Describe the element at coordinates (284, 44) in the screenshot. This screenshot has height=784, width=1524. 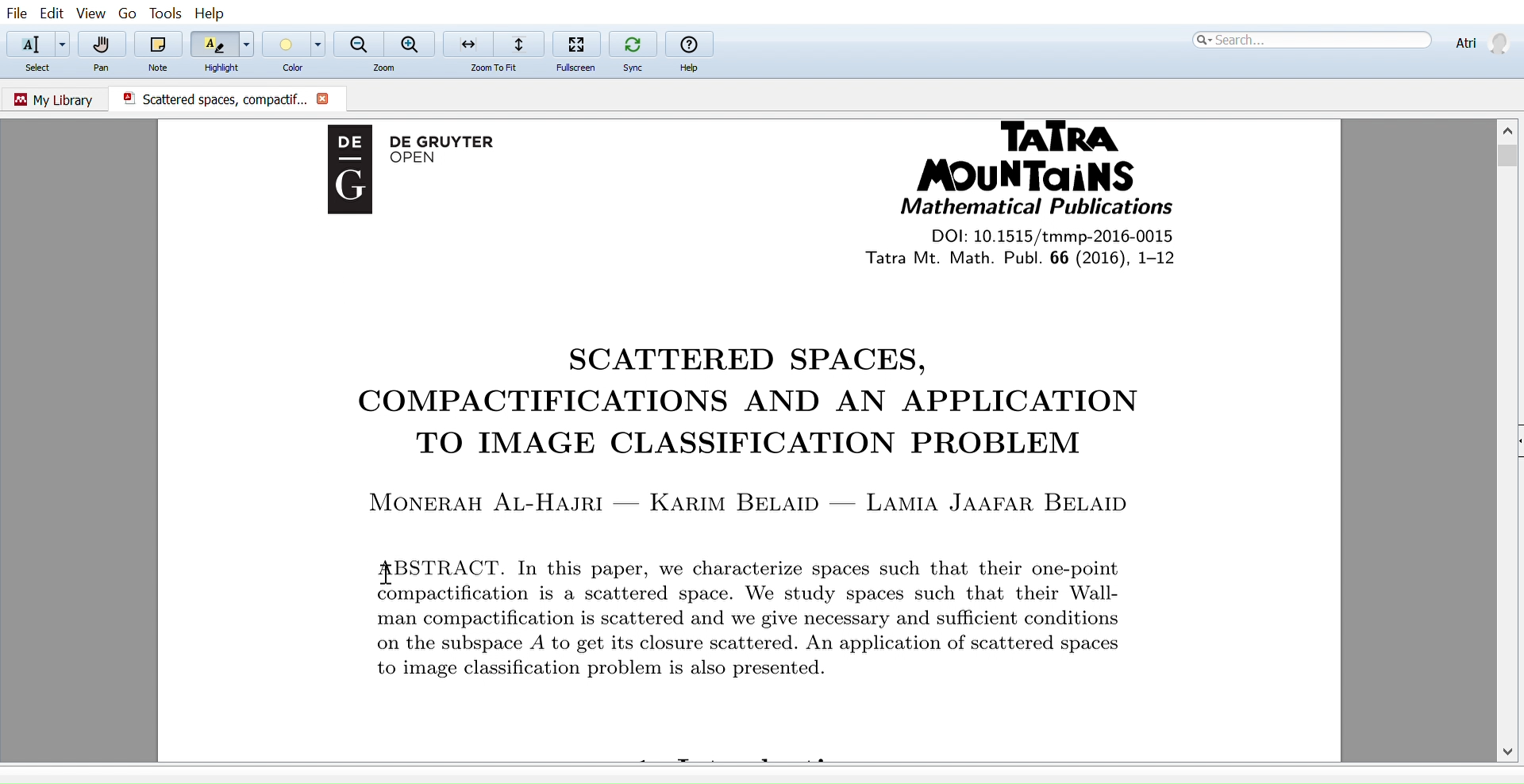
I see `Color` at that location.